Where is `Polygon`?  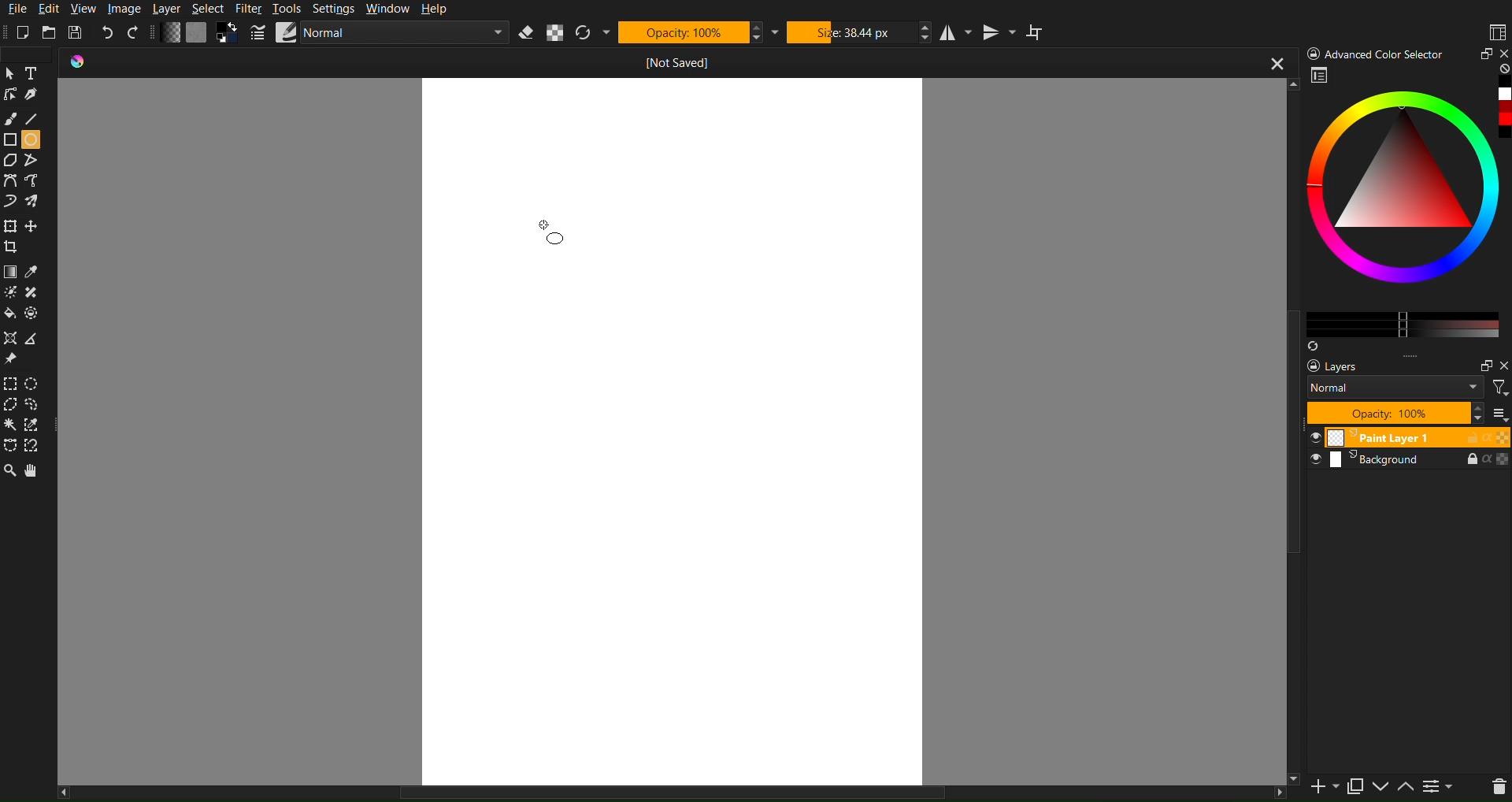
Polygon is located at coordinates (34, 339).